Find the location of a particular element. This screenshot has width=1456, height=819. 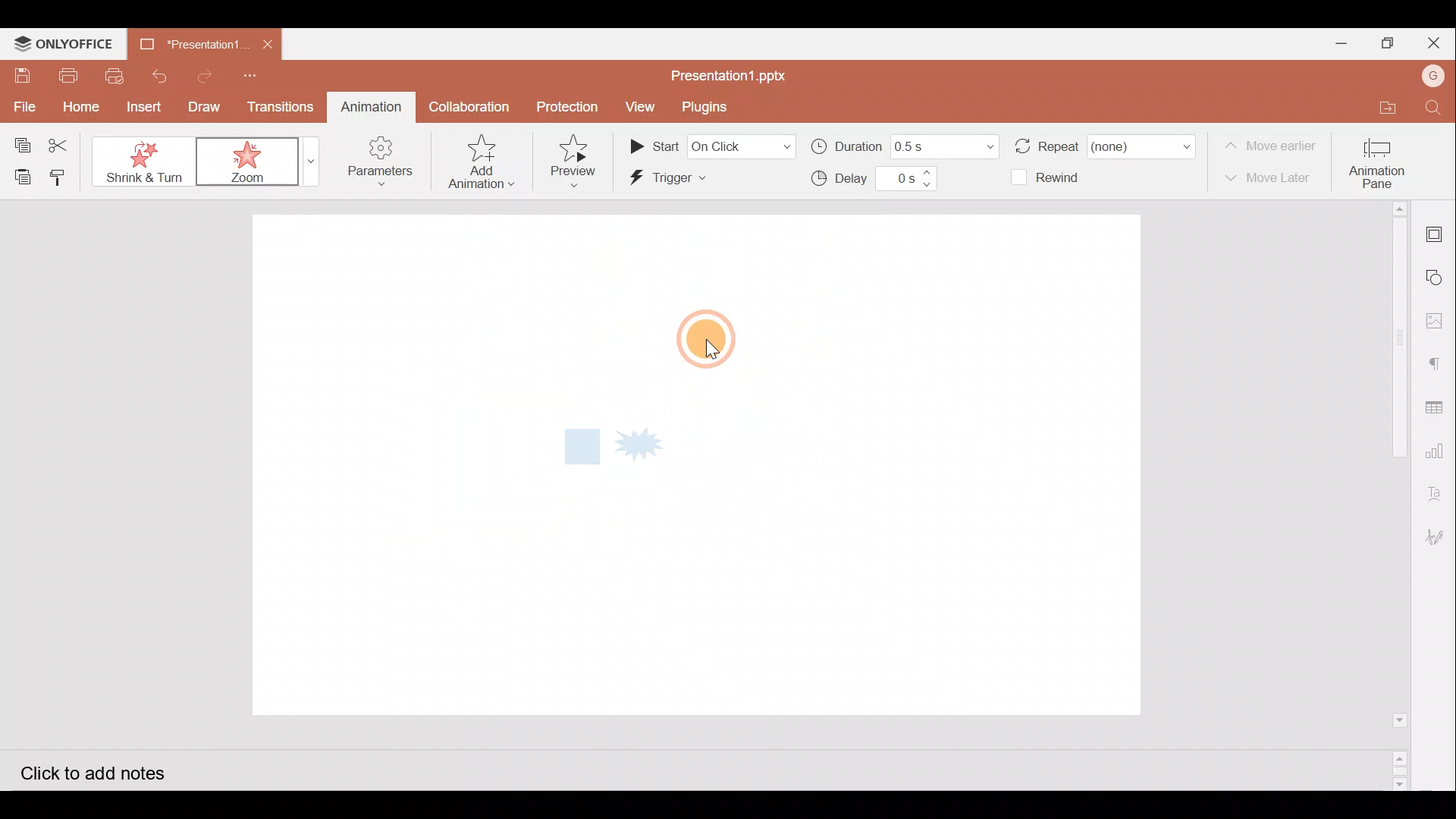

Protection is located at coordinates (569, 108).